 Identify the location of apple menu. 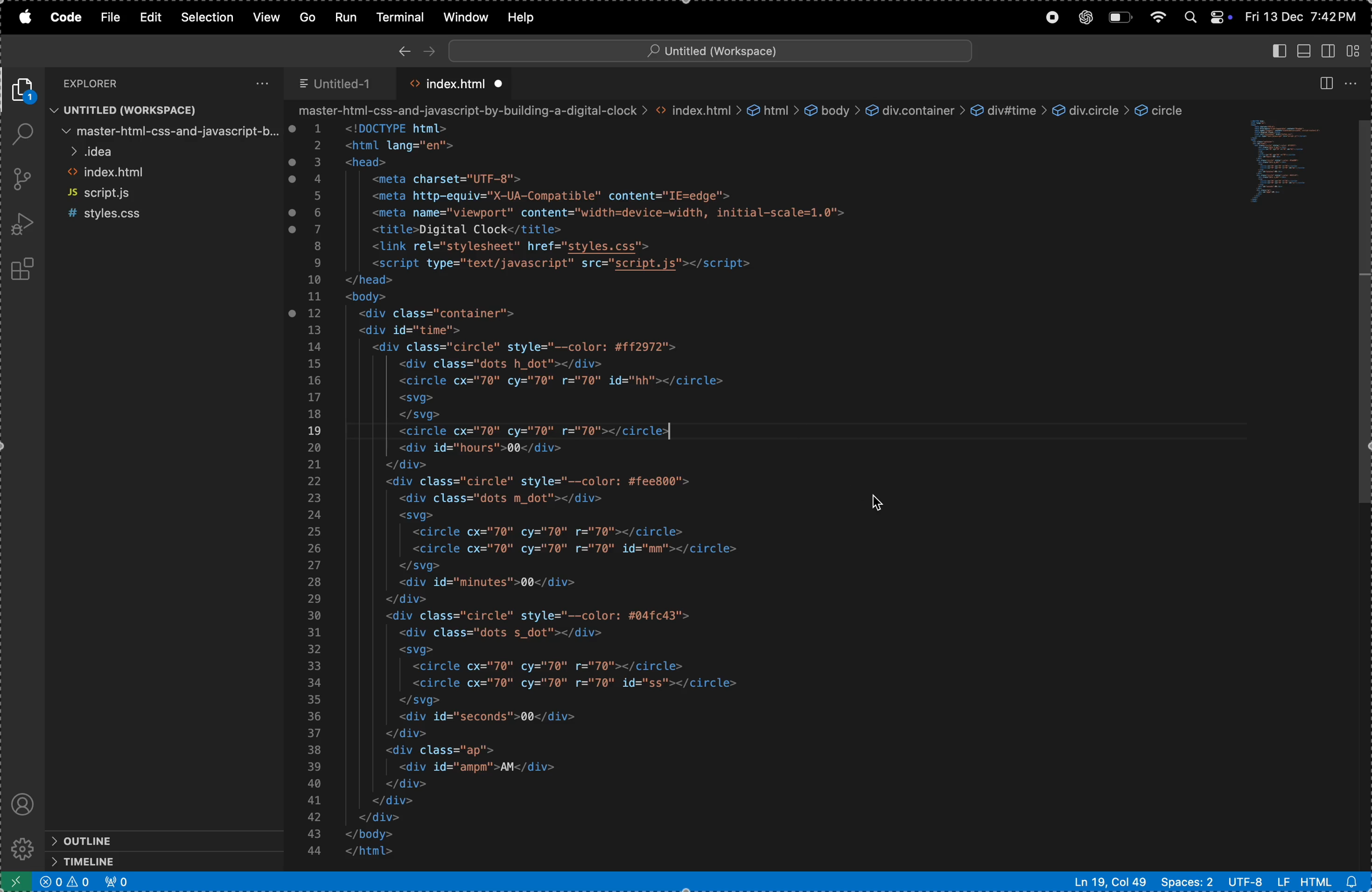
(29, 18).